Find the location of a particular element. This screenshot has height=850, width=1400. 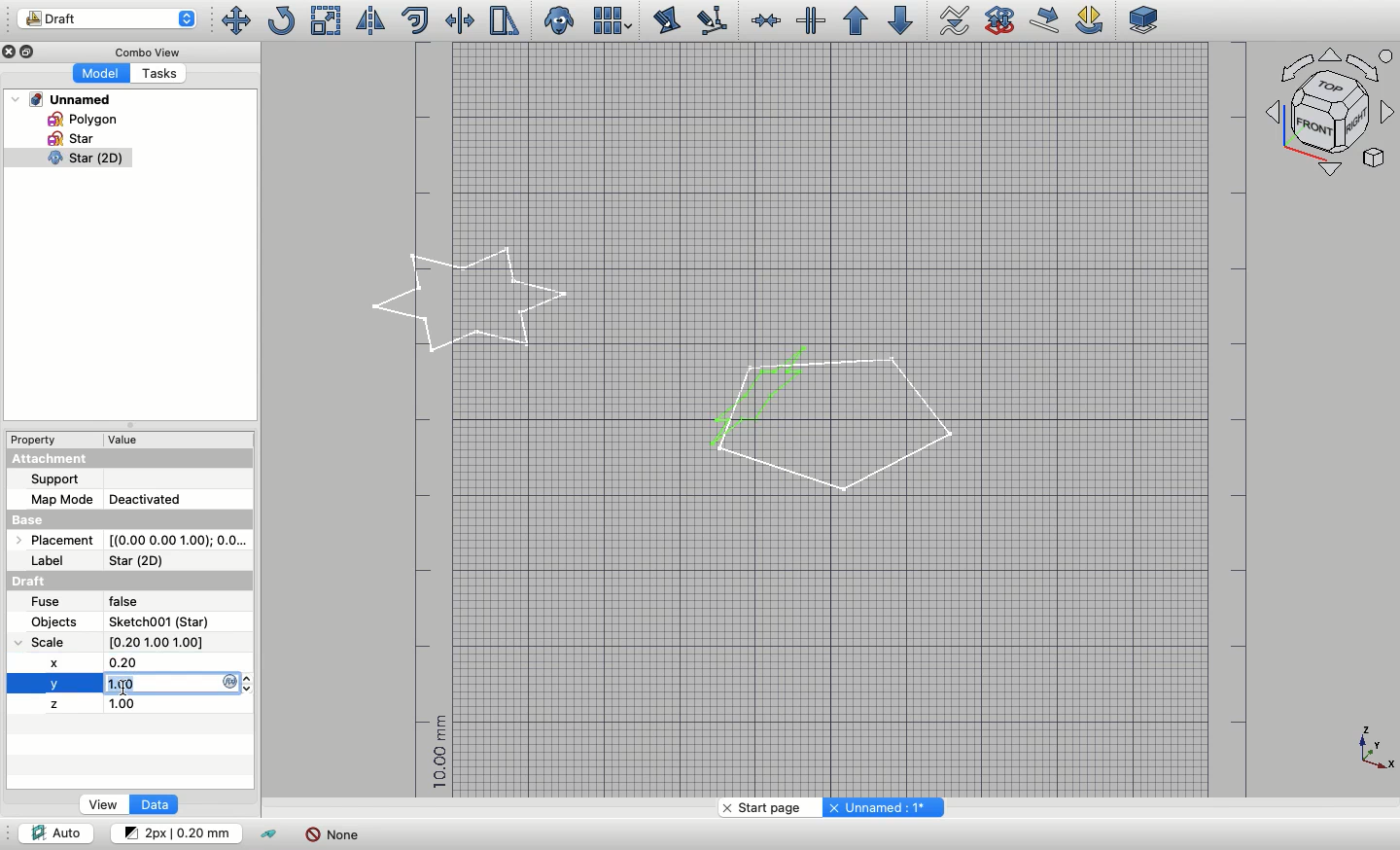

None is located at coordinates (332, 834).